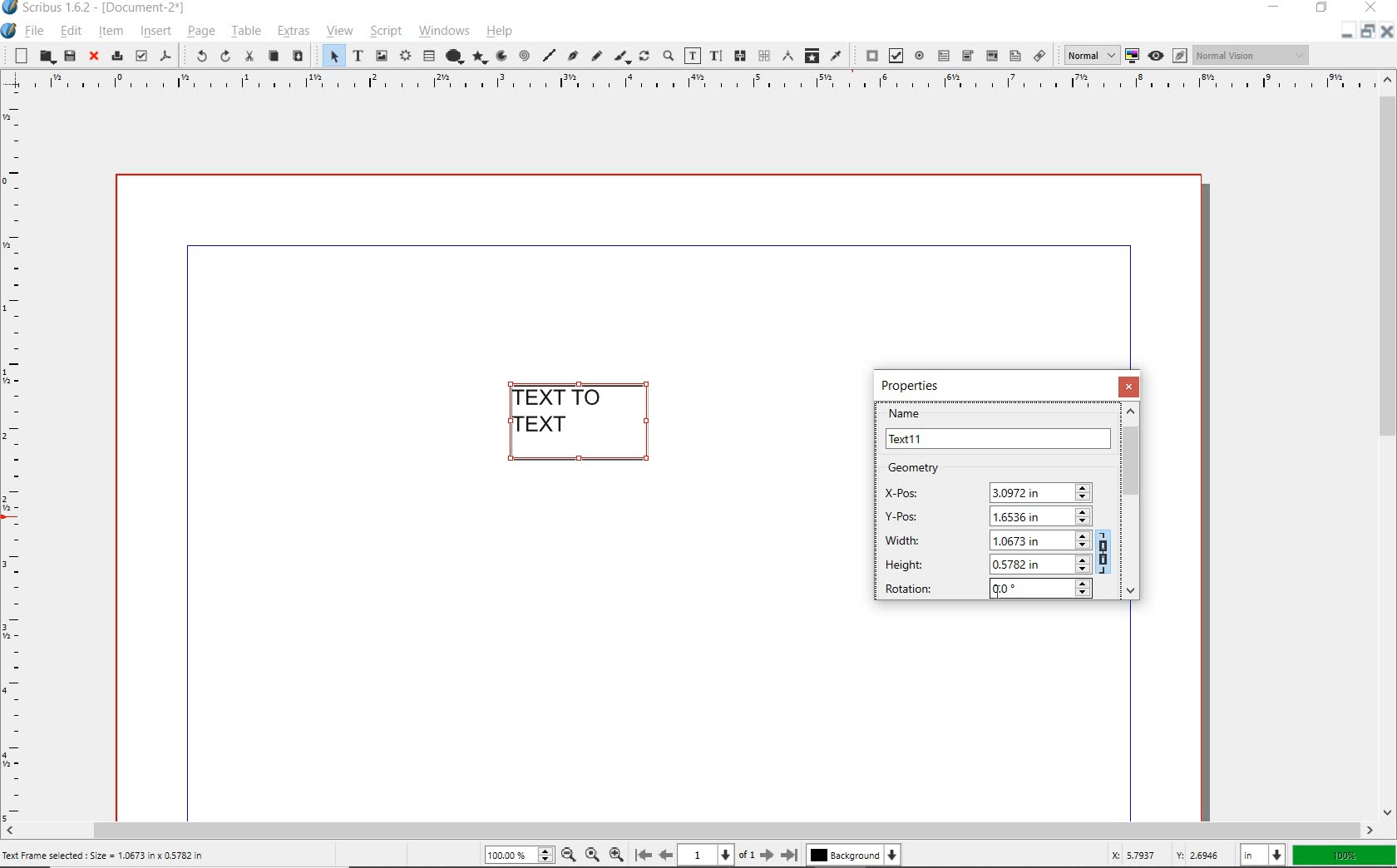  What do you see at coordinates (999, 428) in the screenshot?
I see `NAME` at bounding box center [999, 428].